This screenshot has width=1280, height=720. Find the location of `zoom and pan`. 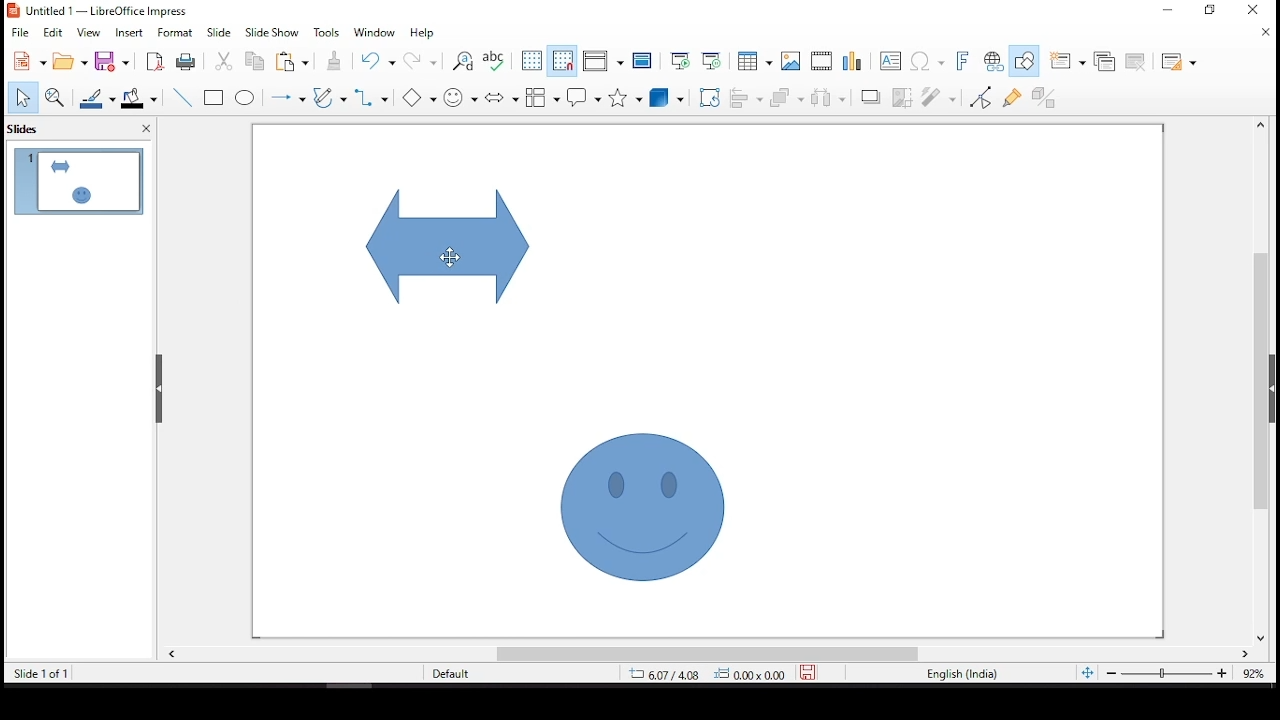

zoom and pan is located at coordinates (53, 95).